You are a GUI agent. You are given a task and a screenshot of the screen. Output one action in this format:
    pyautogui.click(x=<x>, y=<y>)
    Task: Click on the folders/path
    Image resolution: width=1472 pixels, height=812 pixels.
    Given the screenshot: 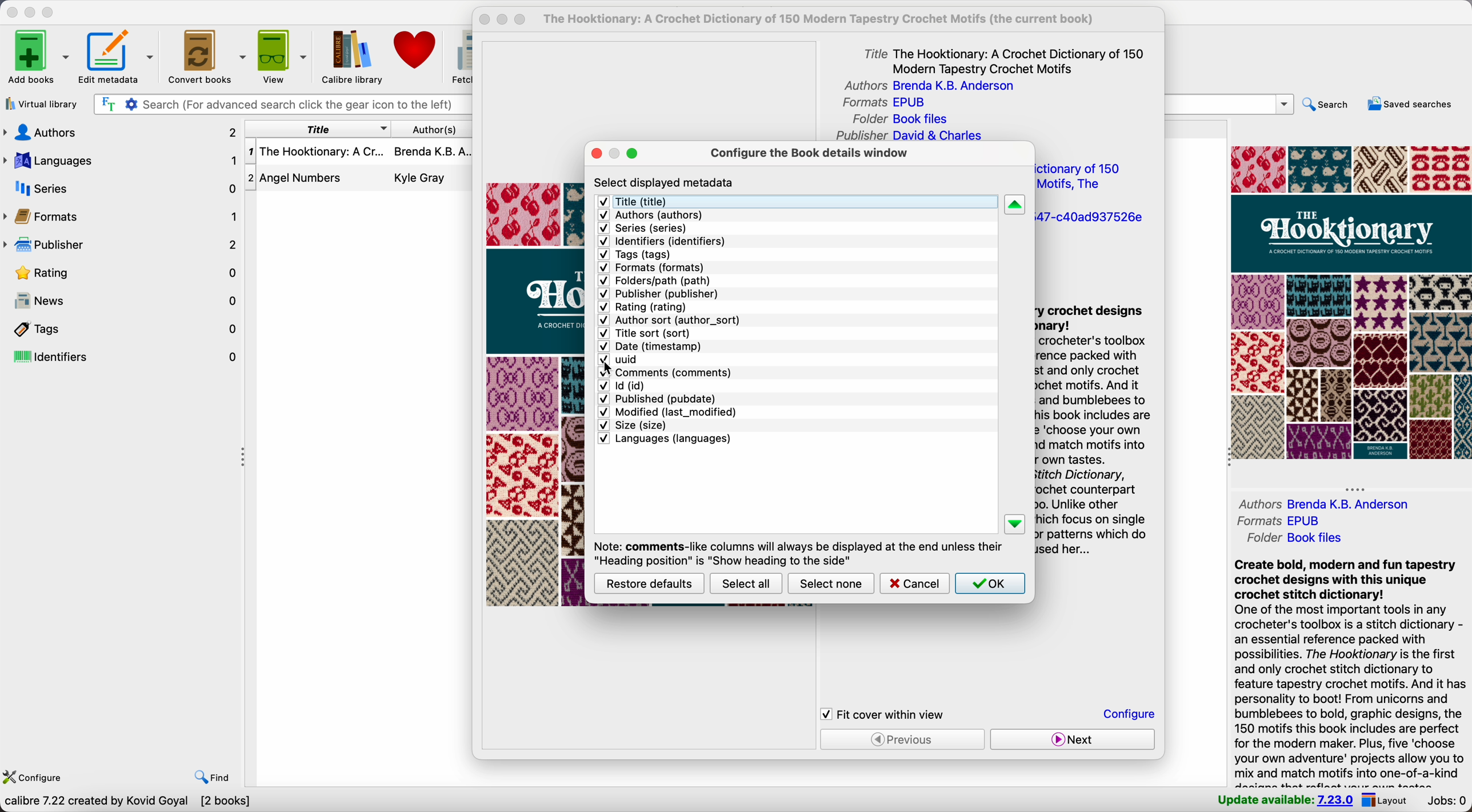 What is the action you would take?
    pyautogui.click(x=657, y=281)
    